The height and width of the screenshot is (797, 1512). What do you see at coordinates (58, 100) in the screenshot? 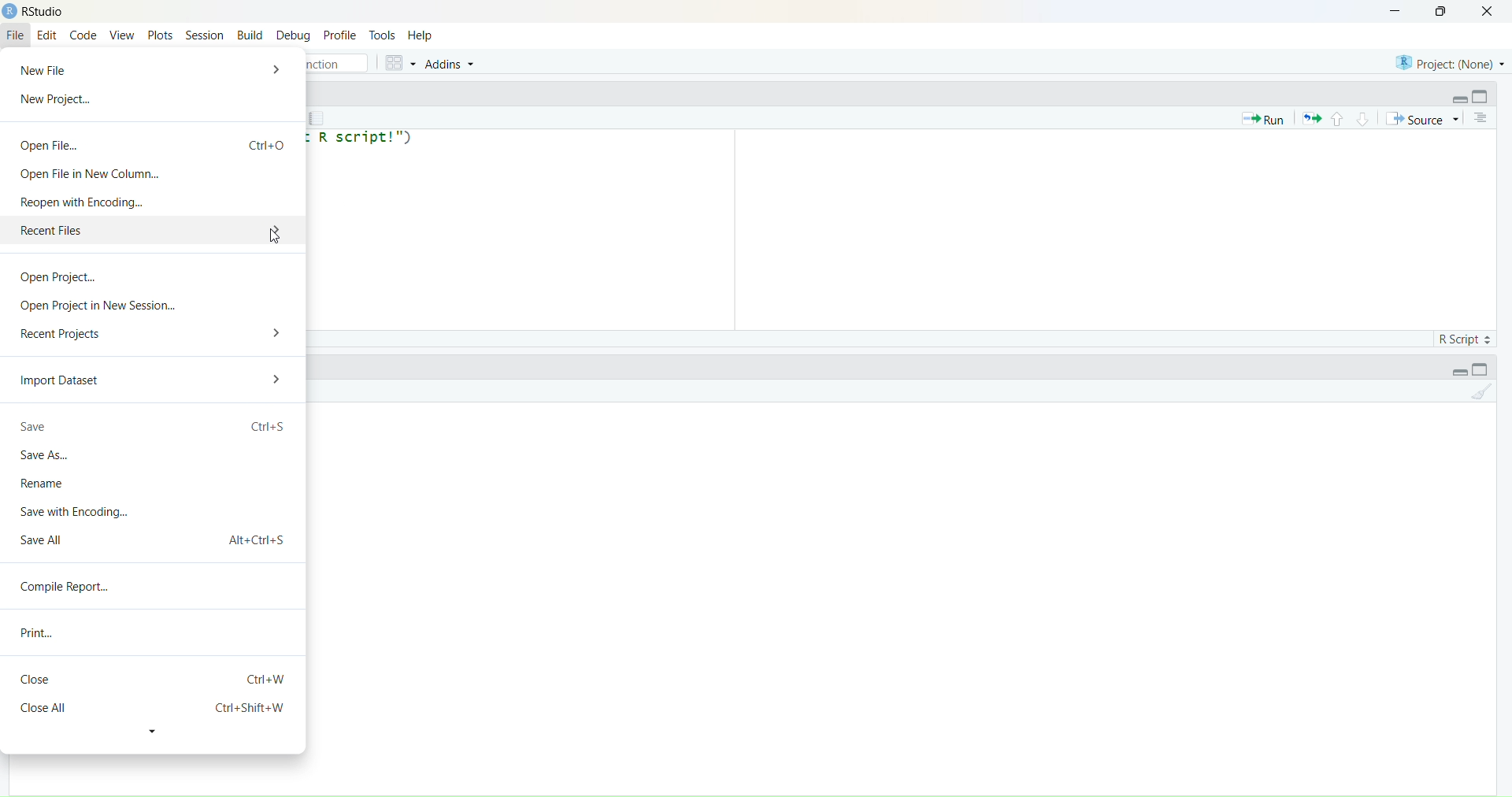
I see `New Project...` at bounding box center [58, 100].